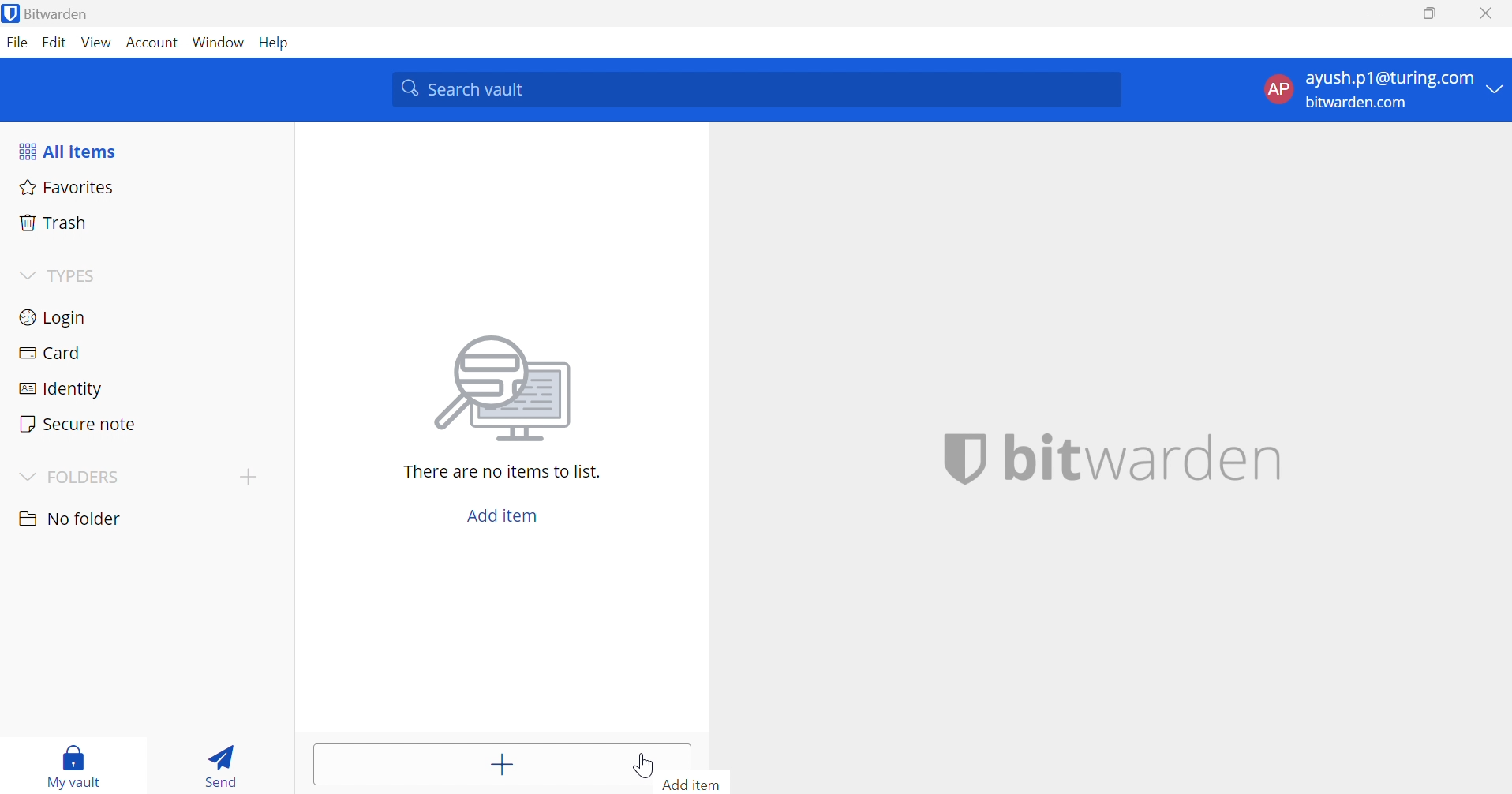 Image resolution: width=1512 pixels, height=794 pixels. I want to click on AP, so click(1276, 88).